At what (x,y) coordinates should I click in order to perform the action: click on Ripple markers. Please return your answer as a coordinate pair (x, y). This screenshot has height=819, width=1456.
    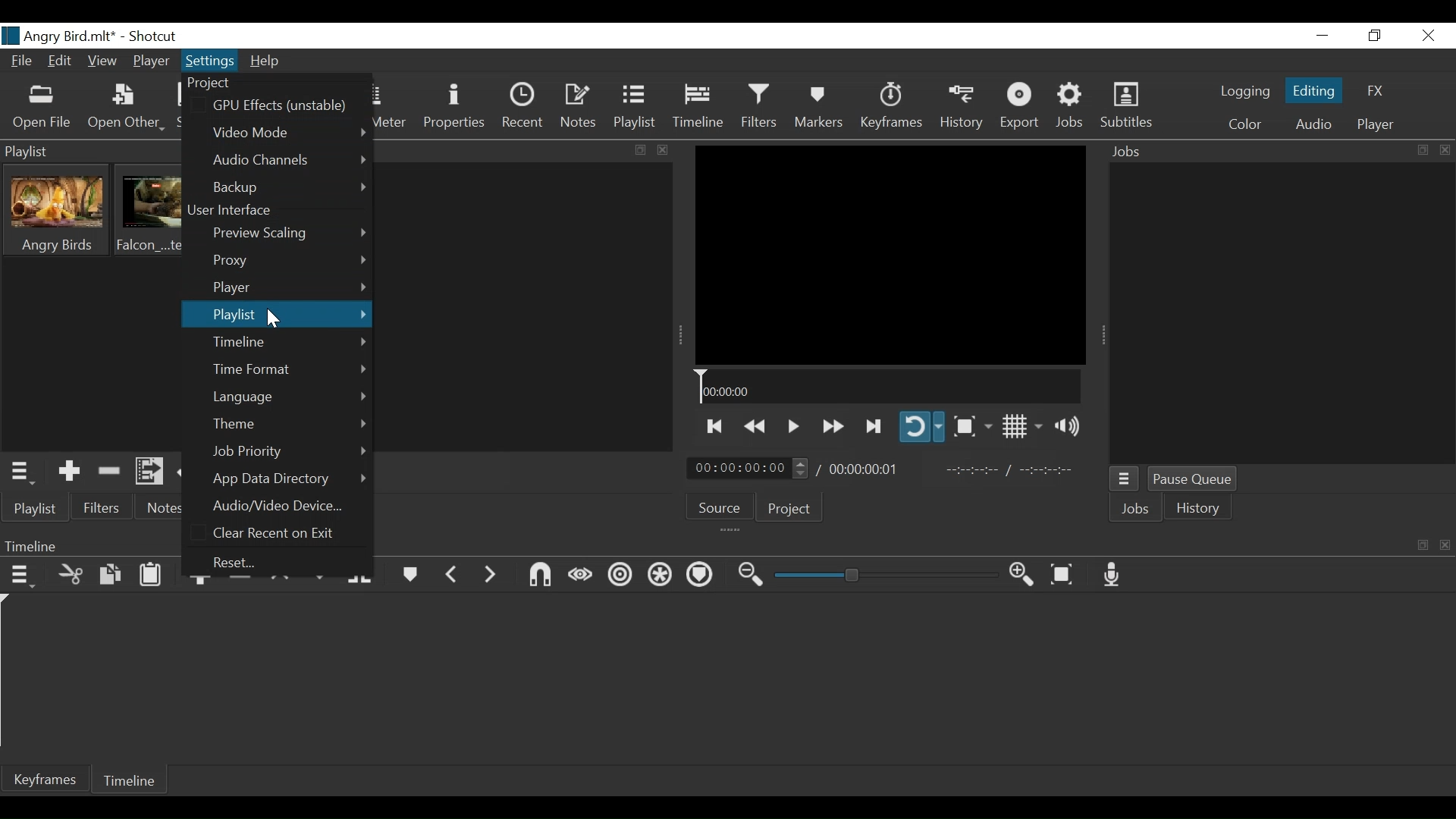
    Looking at the image, I should click on (701, 576).